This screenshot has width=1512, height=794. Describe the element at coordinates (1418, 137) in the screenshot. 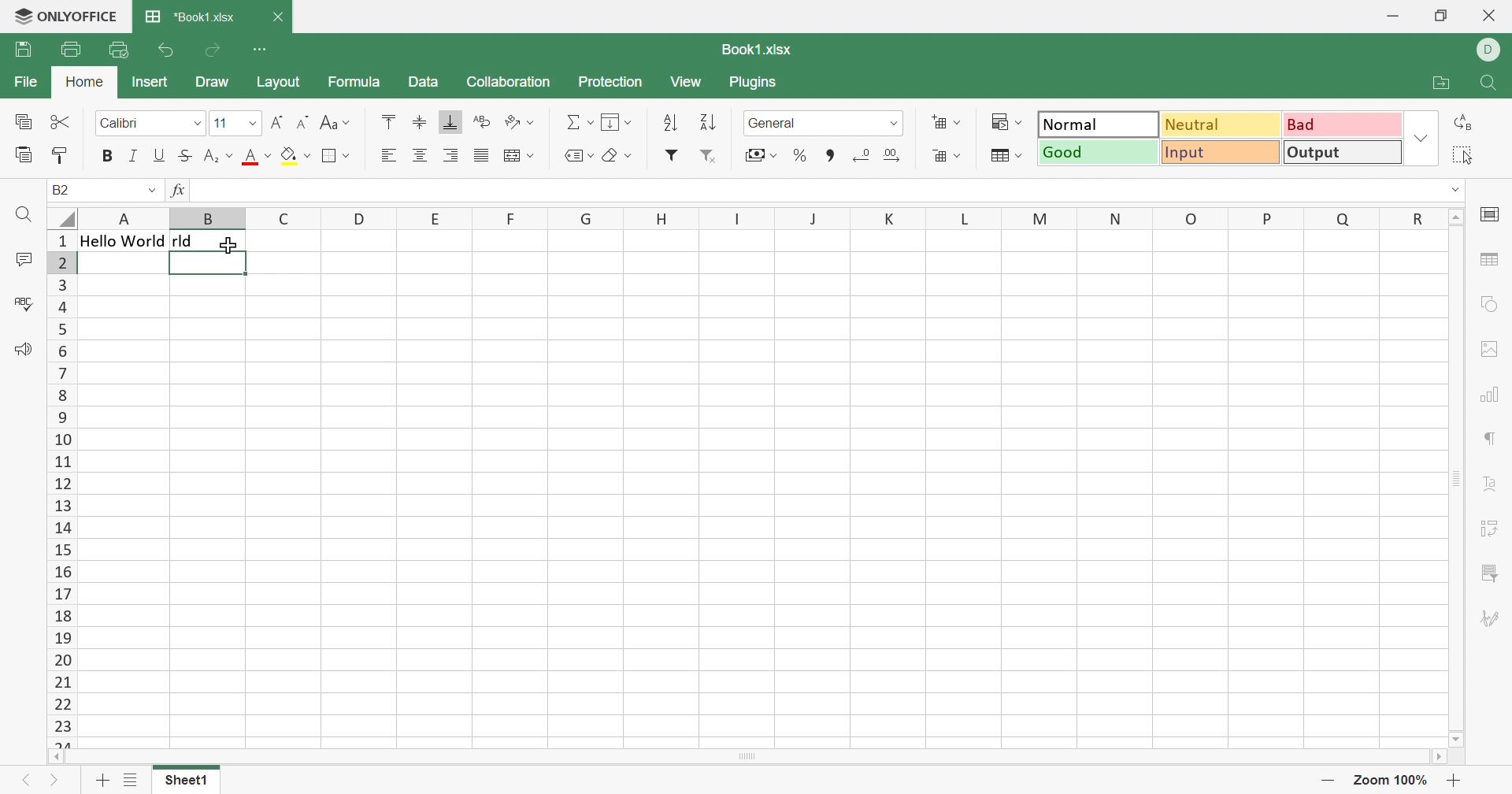

I see `Drop down` at that location.